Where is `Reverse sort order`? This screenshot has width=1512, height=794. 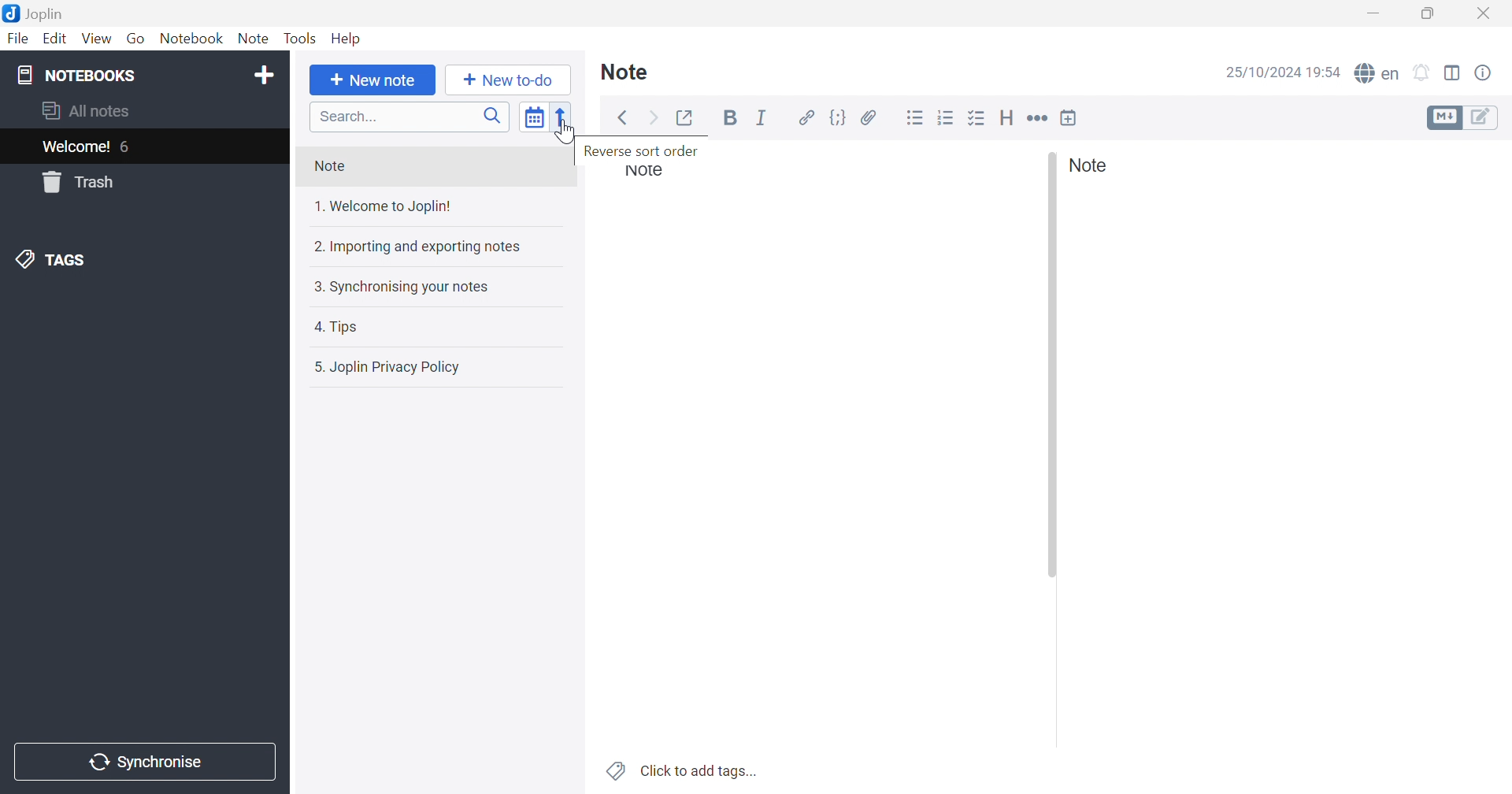 Reverse sort order is located at coordinates (645, 151).